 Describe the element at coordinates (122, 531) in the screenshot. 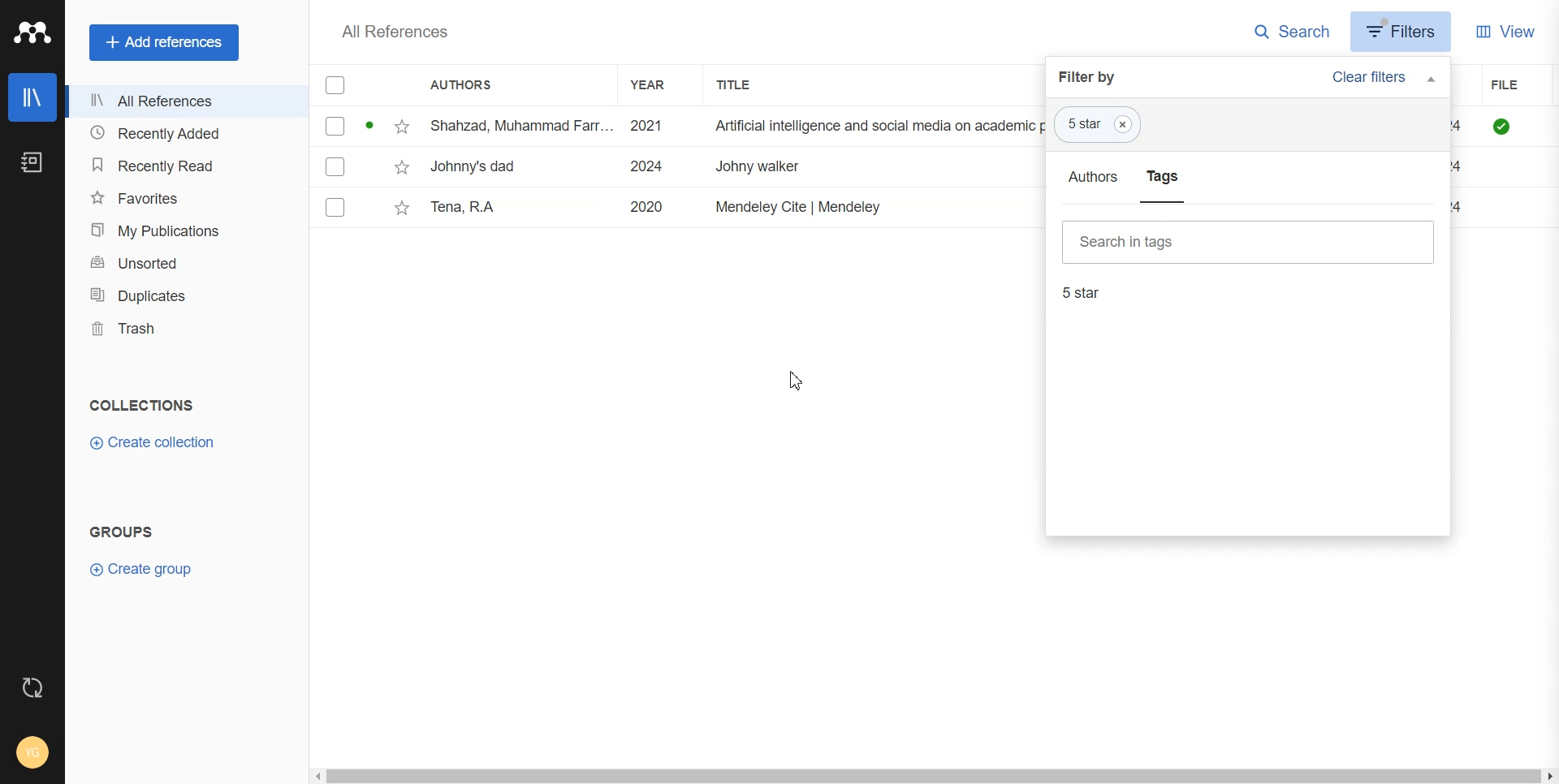

I see `Groups` at that location.